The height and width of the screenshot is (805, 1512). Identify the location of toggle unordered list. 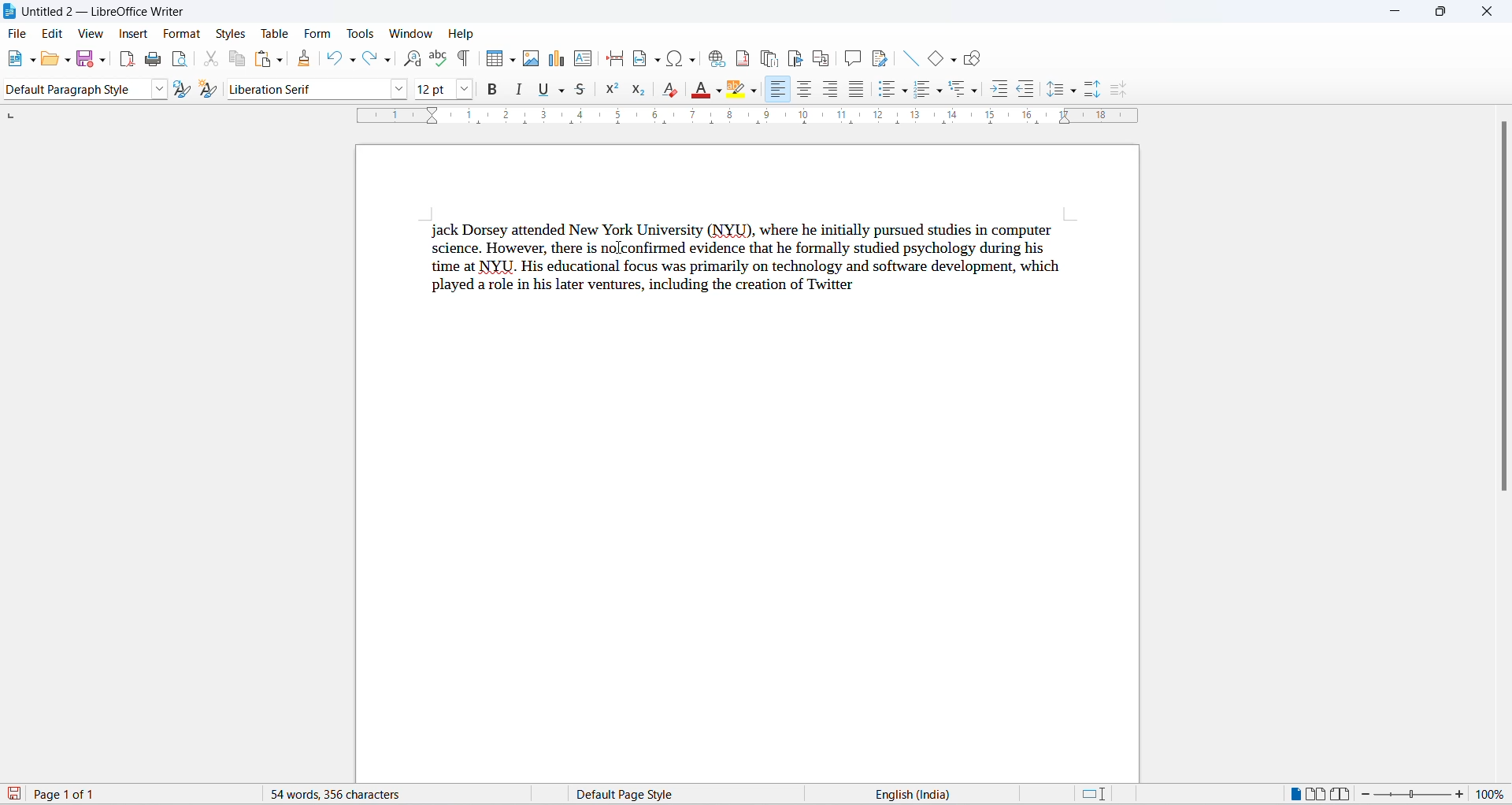
(885, 91).